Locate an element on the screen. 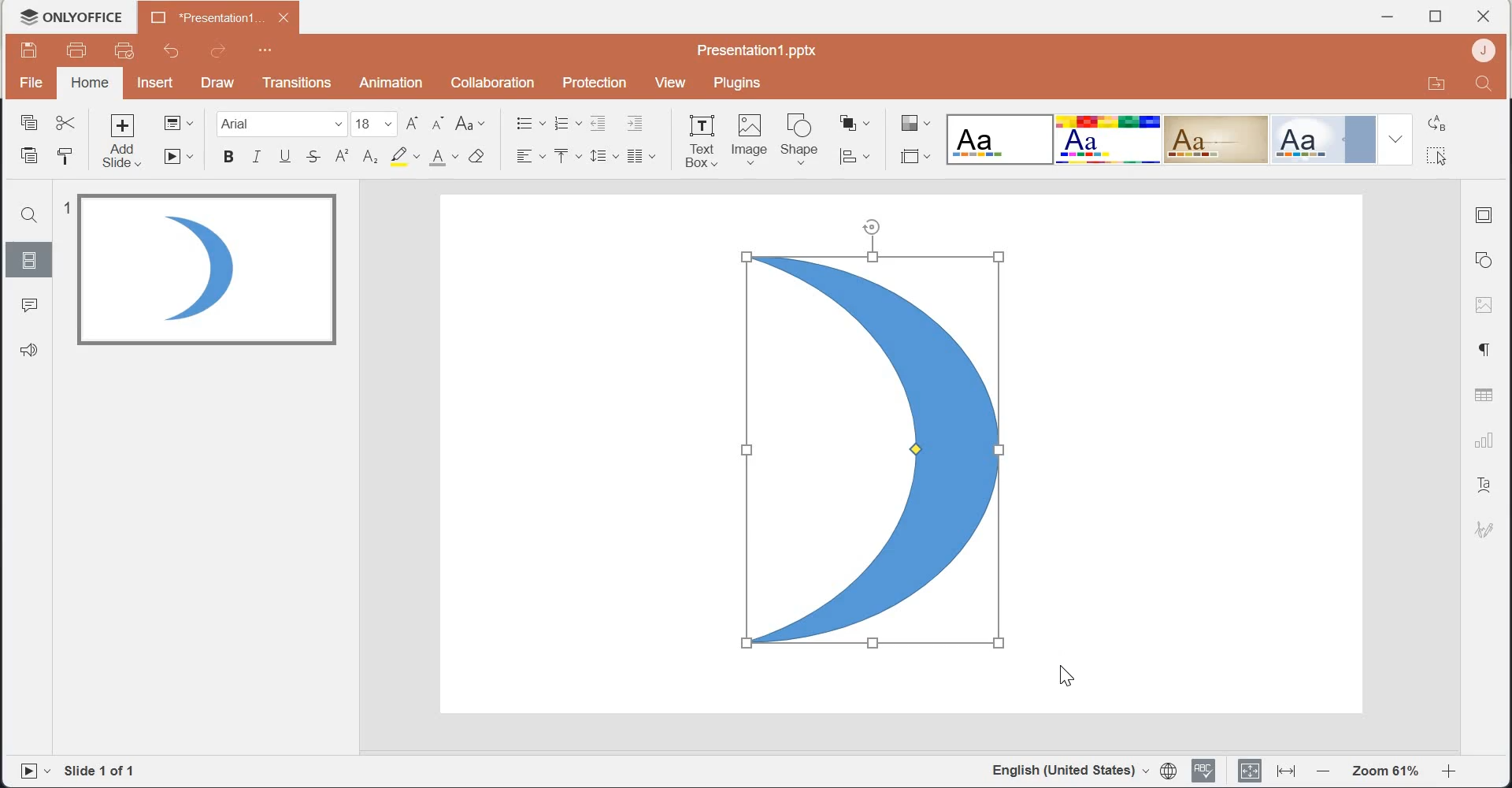 The height and width of the screenshot is (788, 1512). Image is located at coordinates (206, 271).